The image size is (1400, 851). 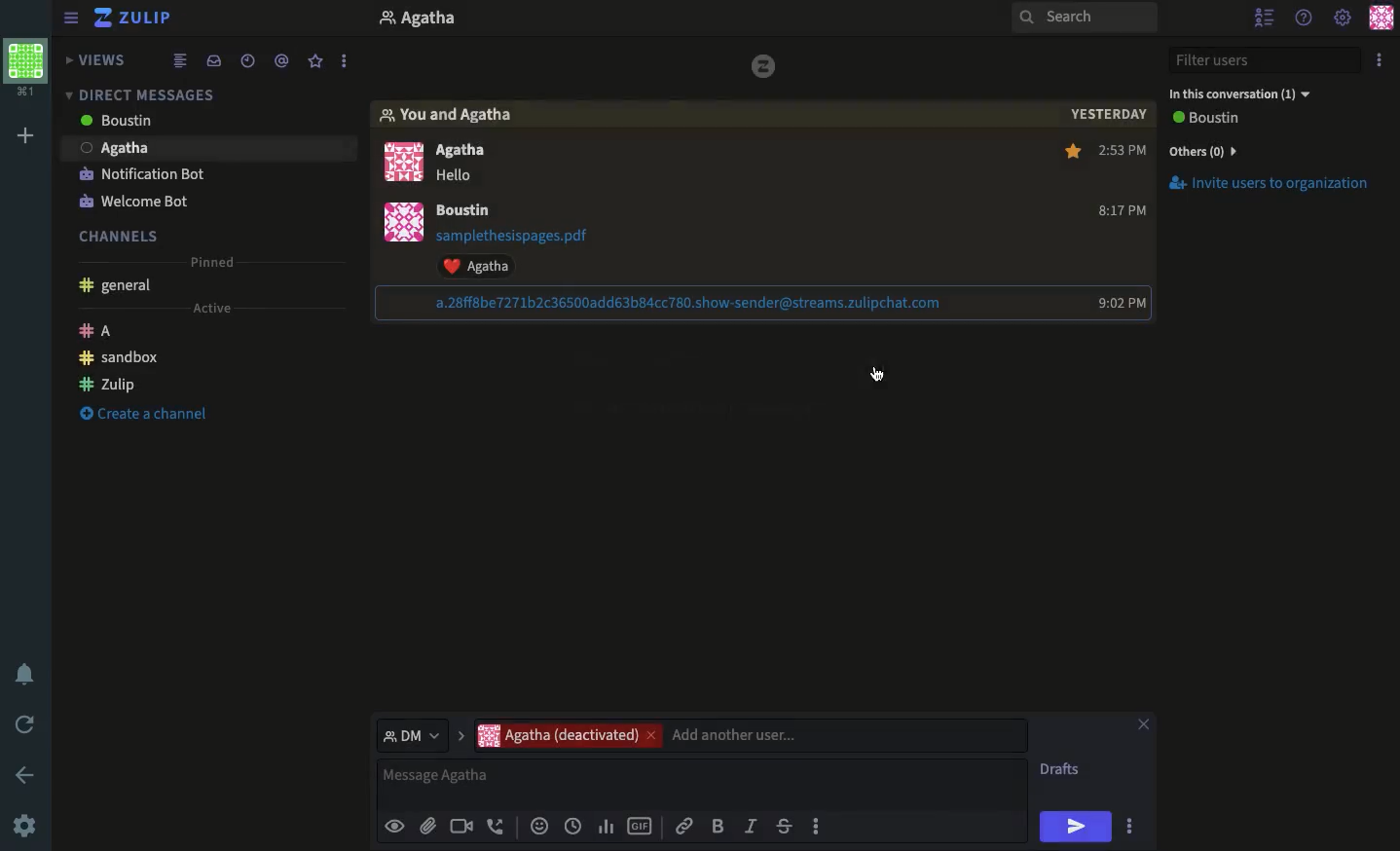 I want to click on Chart, so click(x=607, y=827).